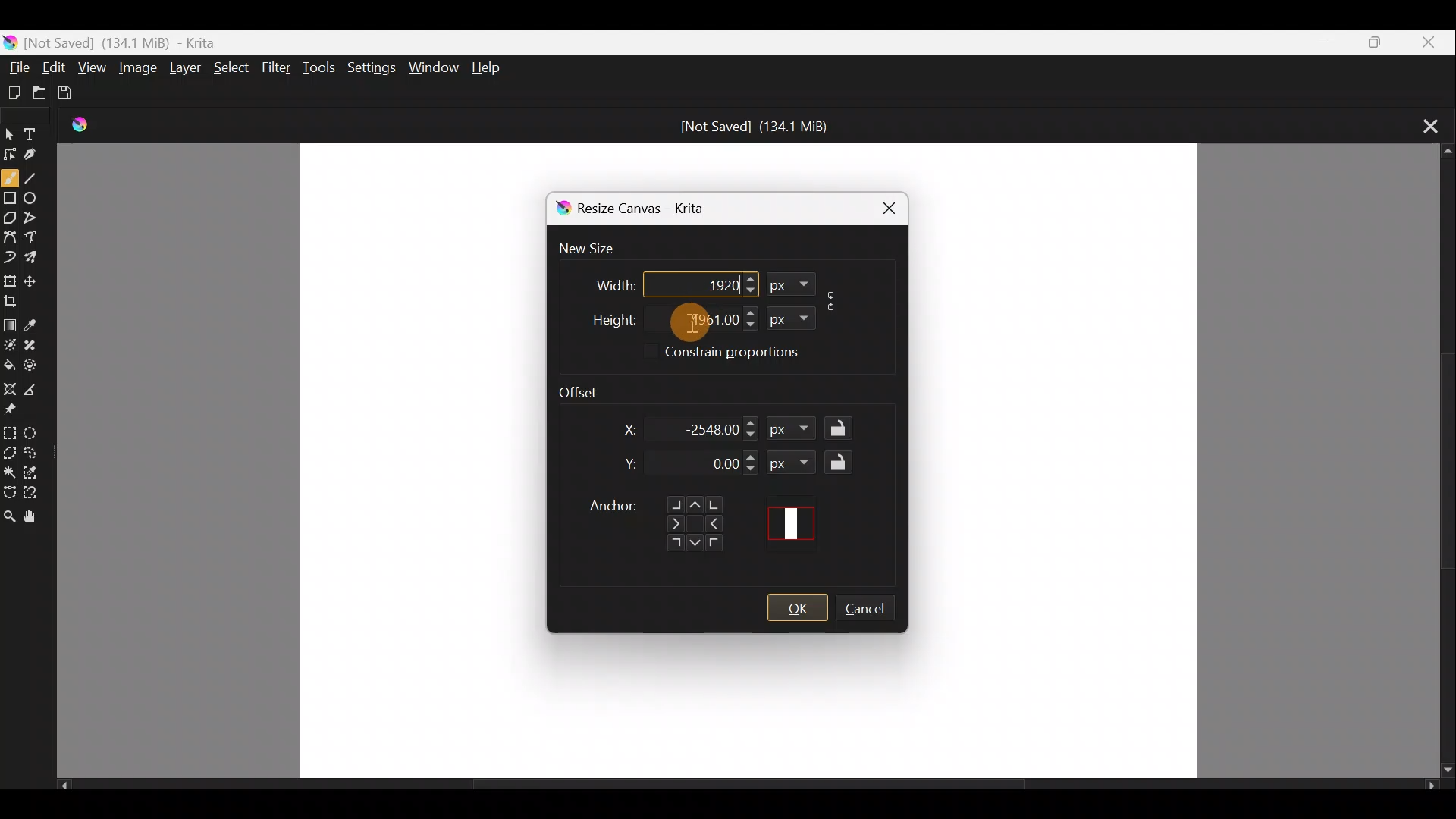 This screenshot has height=819, width=1456. I want to click on Decrease height, so click(750, 325).